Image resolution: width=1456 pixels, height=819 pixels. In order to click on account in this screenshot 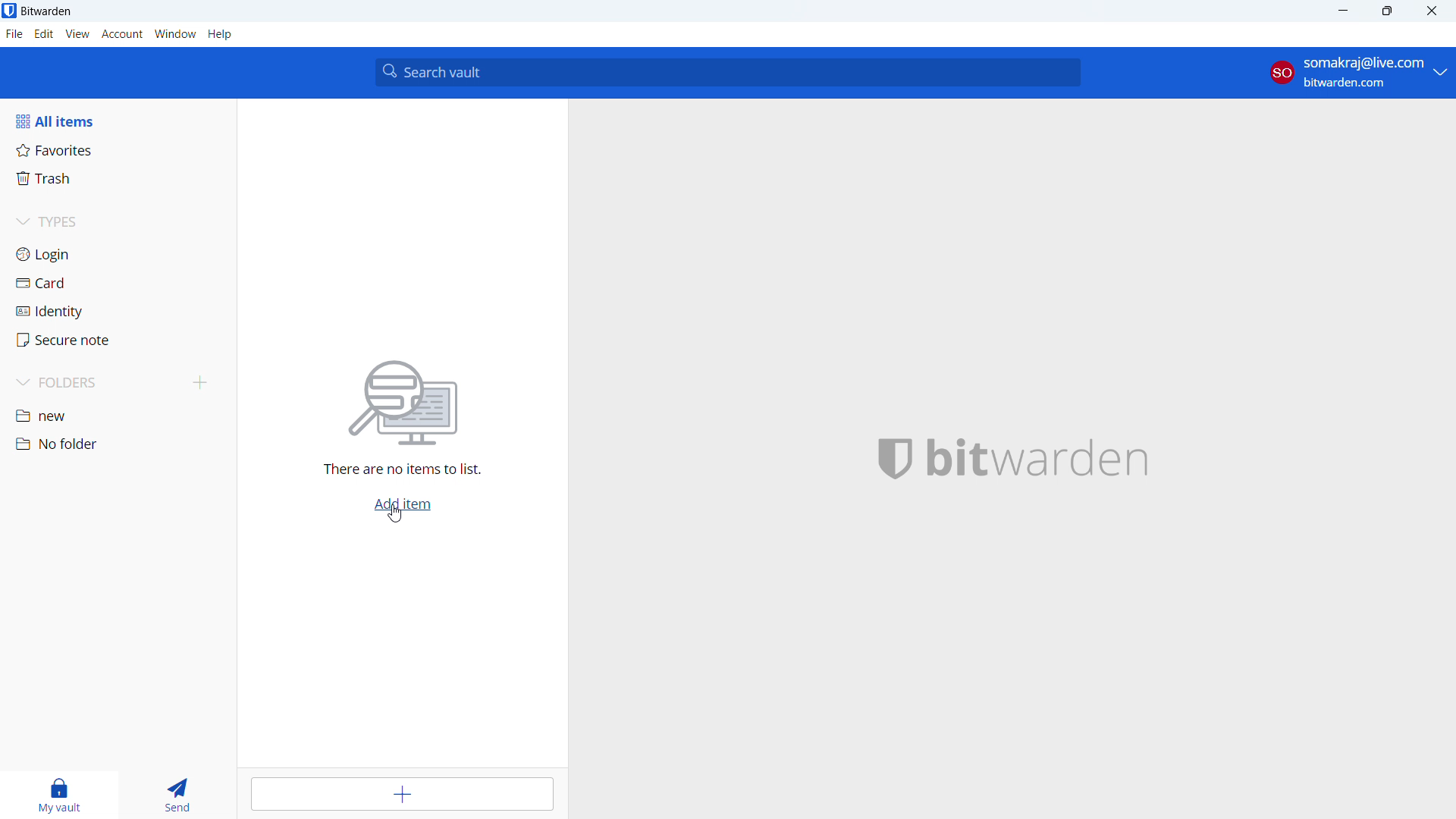, I will do `click(122, 34)`.